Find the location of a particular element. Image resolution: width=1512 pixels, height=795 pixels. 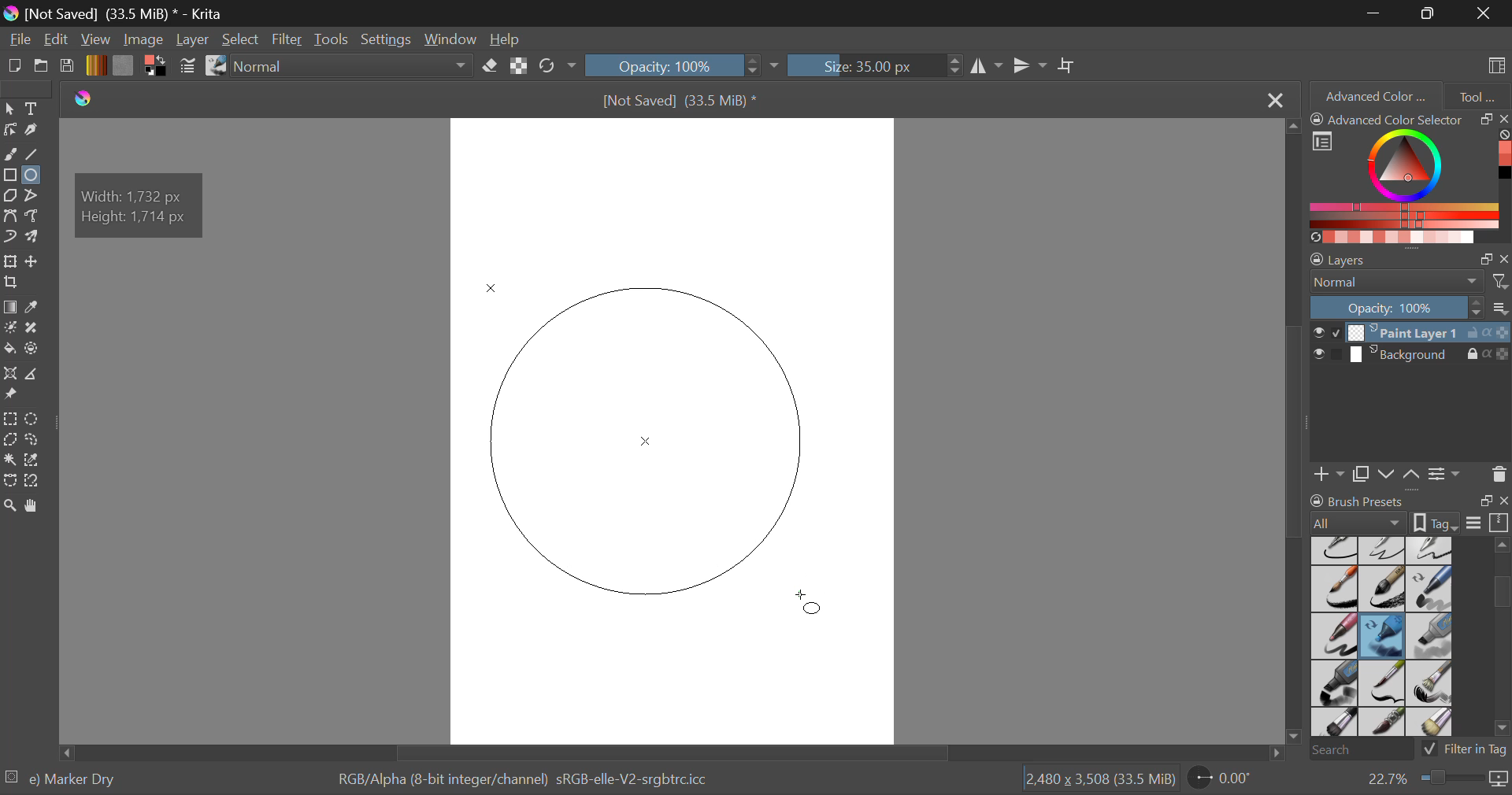

Choose Workspace is located at coordinates (1494, 64).